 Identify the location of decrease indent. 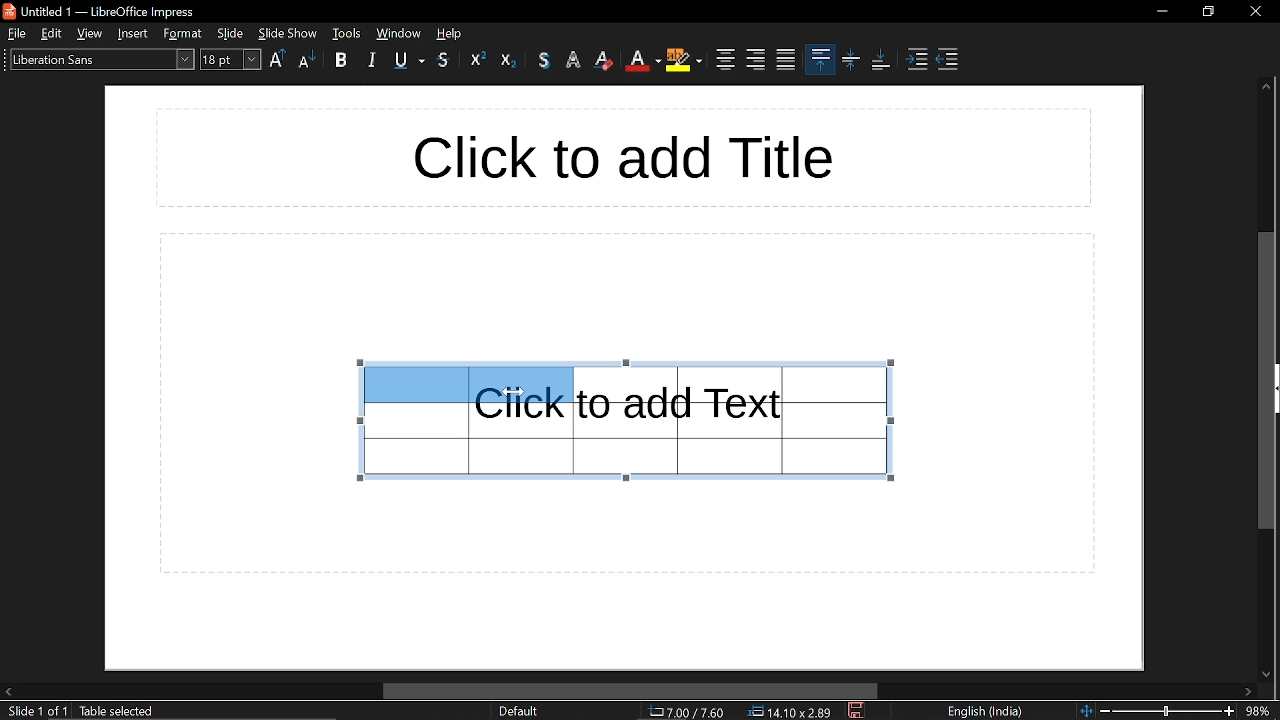
(946, 61).